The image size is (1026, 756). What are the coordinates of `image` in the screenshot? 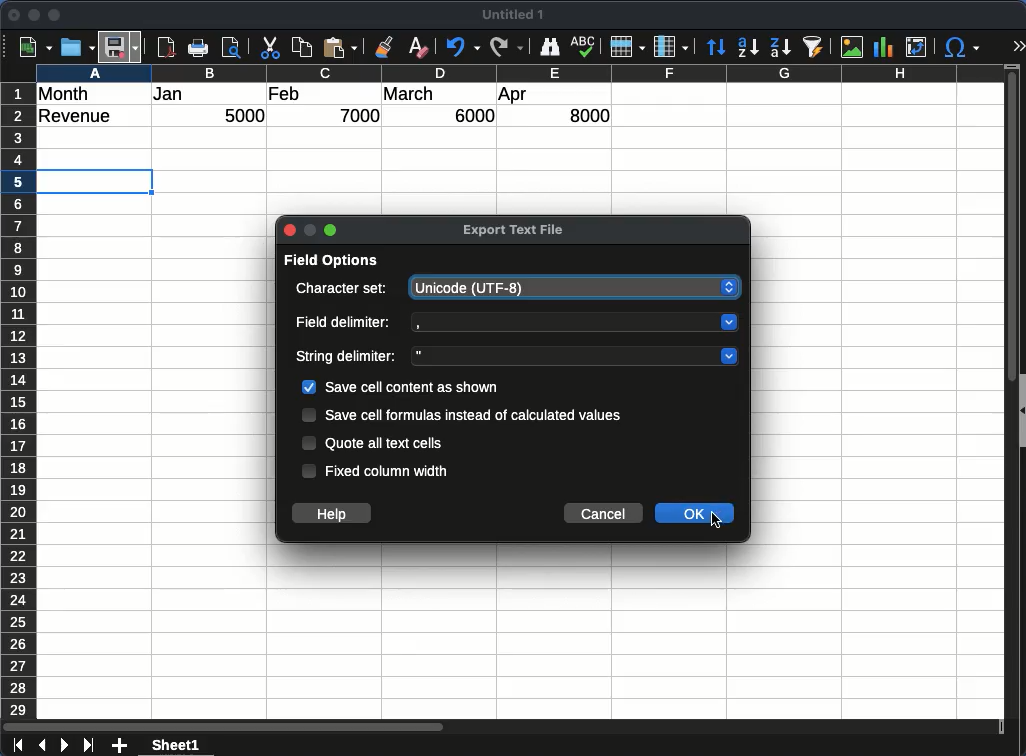 It's located at (851, 47).